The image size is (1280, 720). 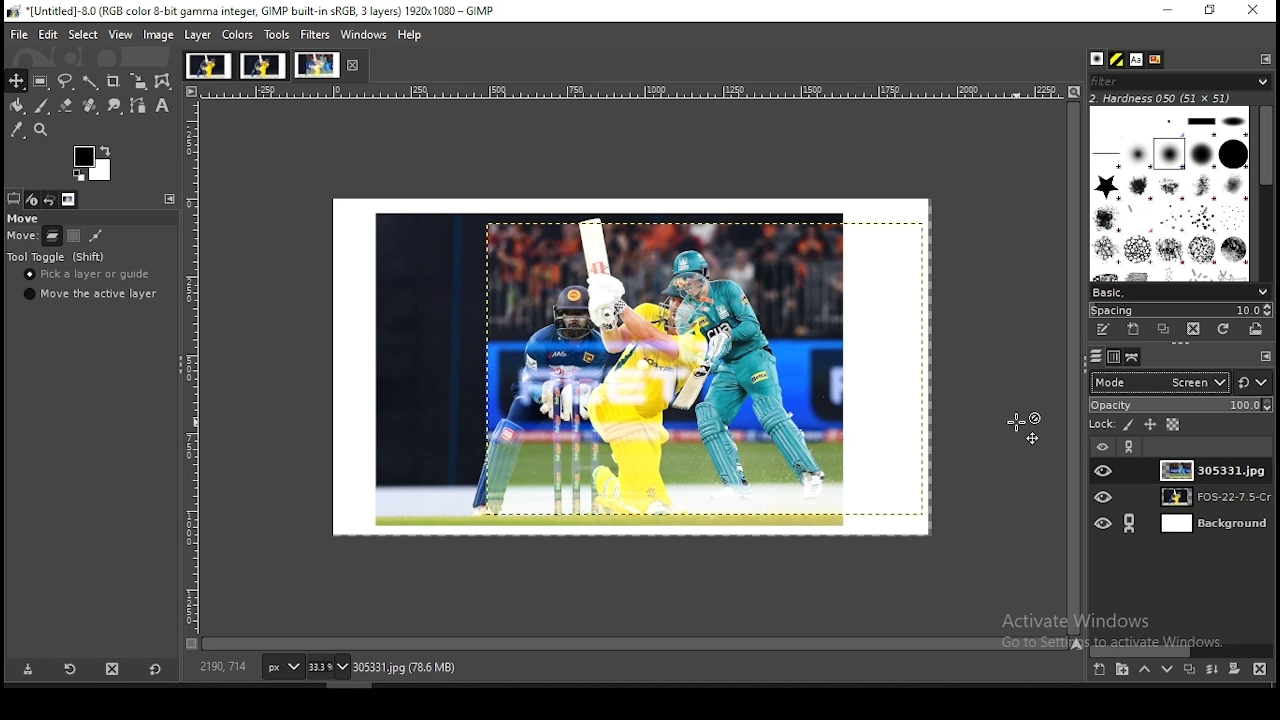 I want to click on merge layer, so click(x=1213, y=669).